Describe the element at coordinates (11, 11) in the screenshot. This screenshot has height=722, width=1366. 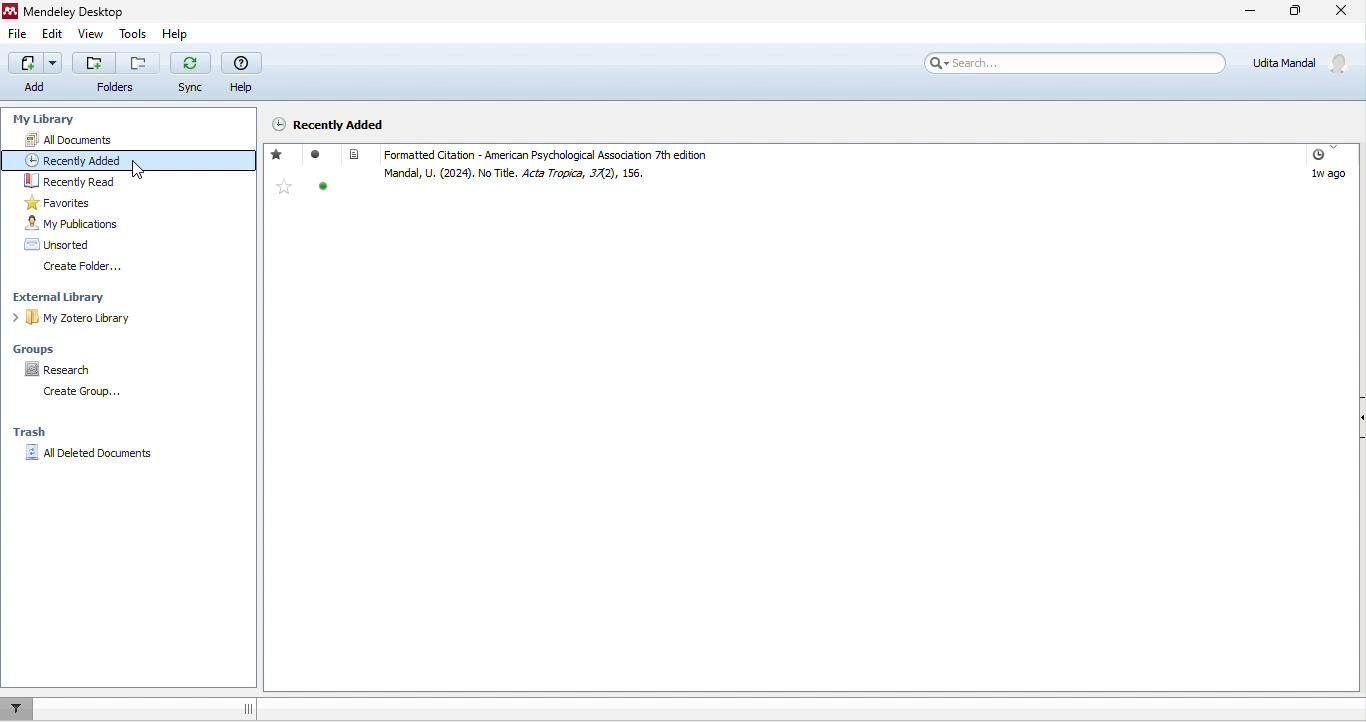
I see `mendeley logo` at that location.